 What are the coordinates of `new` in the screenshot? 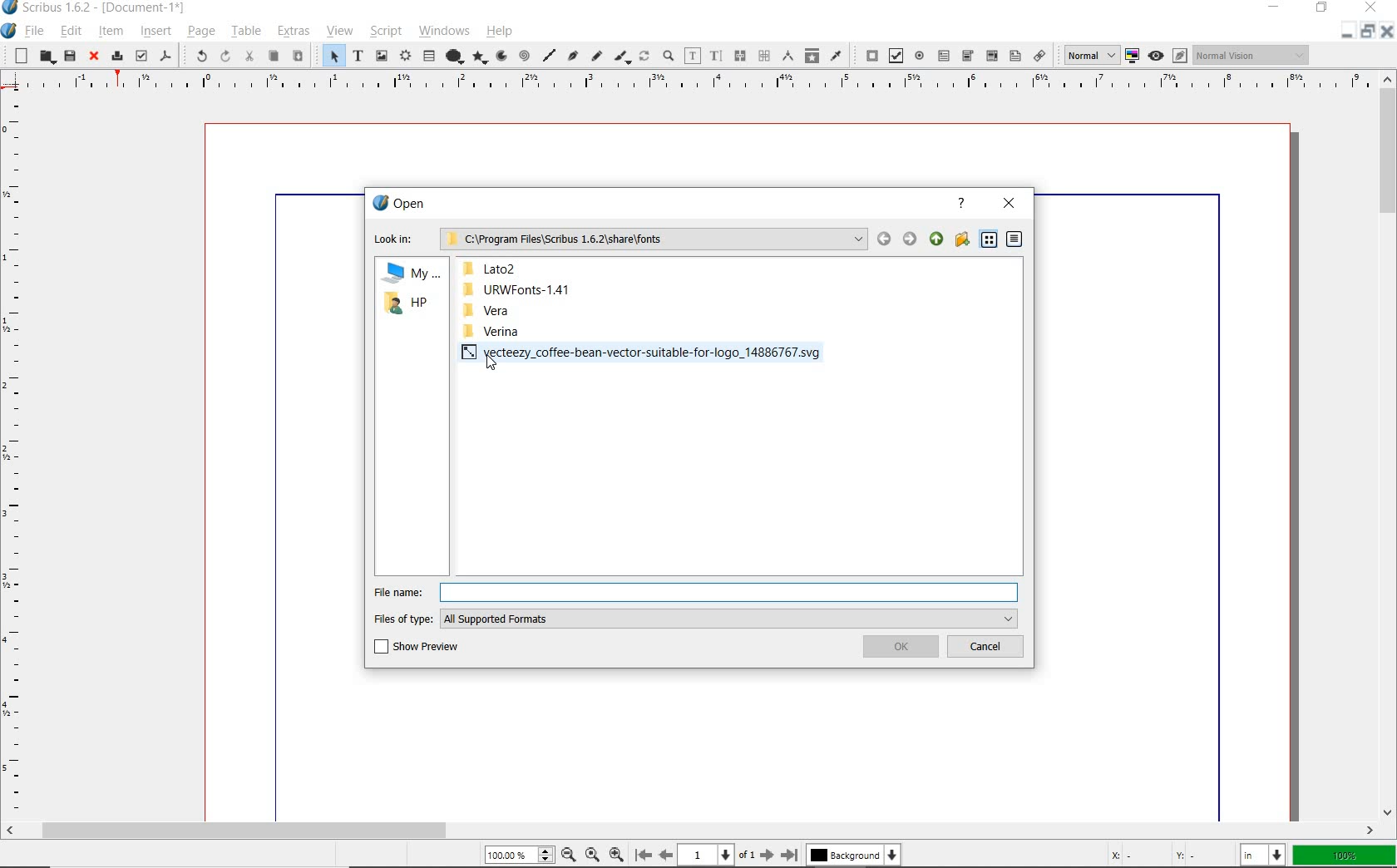 It's located at (19, 56).